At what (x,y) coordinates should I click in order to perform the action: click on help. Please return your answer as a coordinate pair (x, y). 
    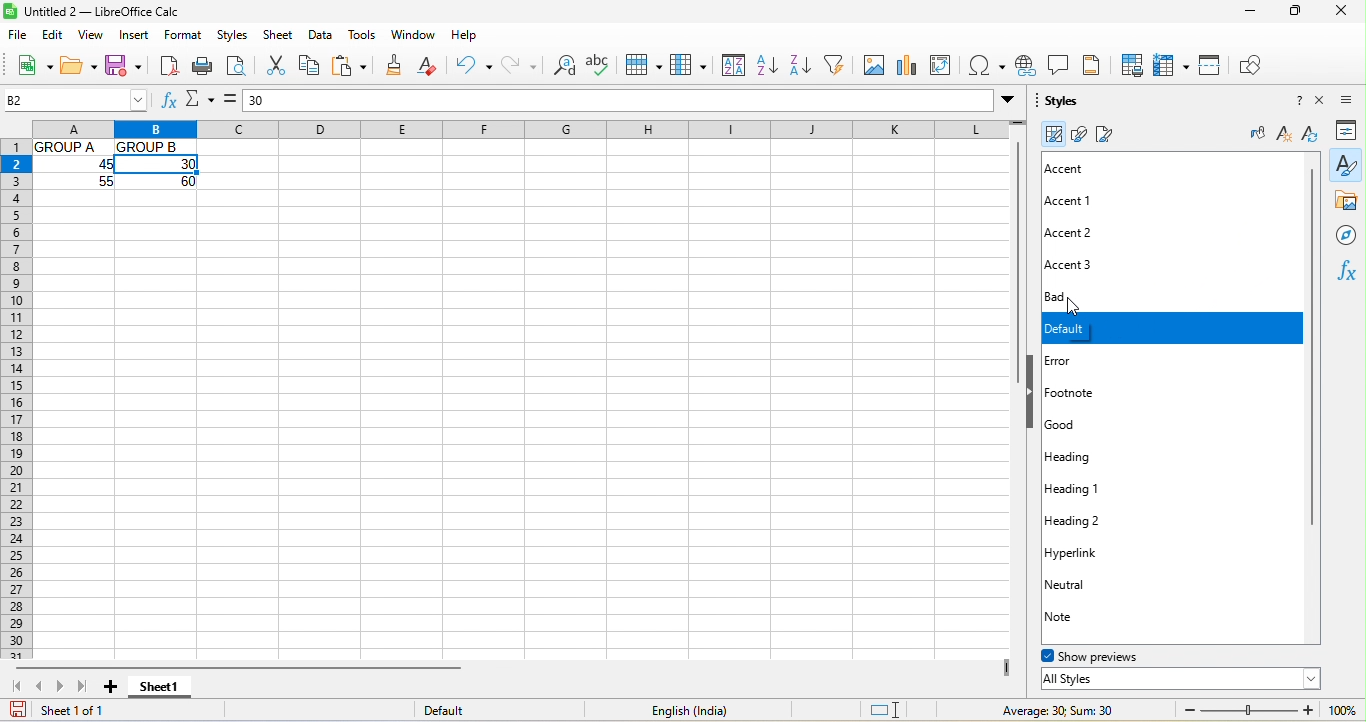
    Looking at the image, I should click on (465, 36).